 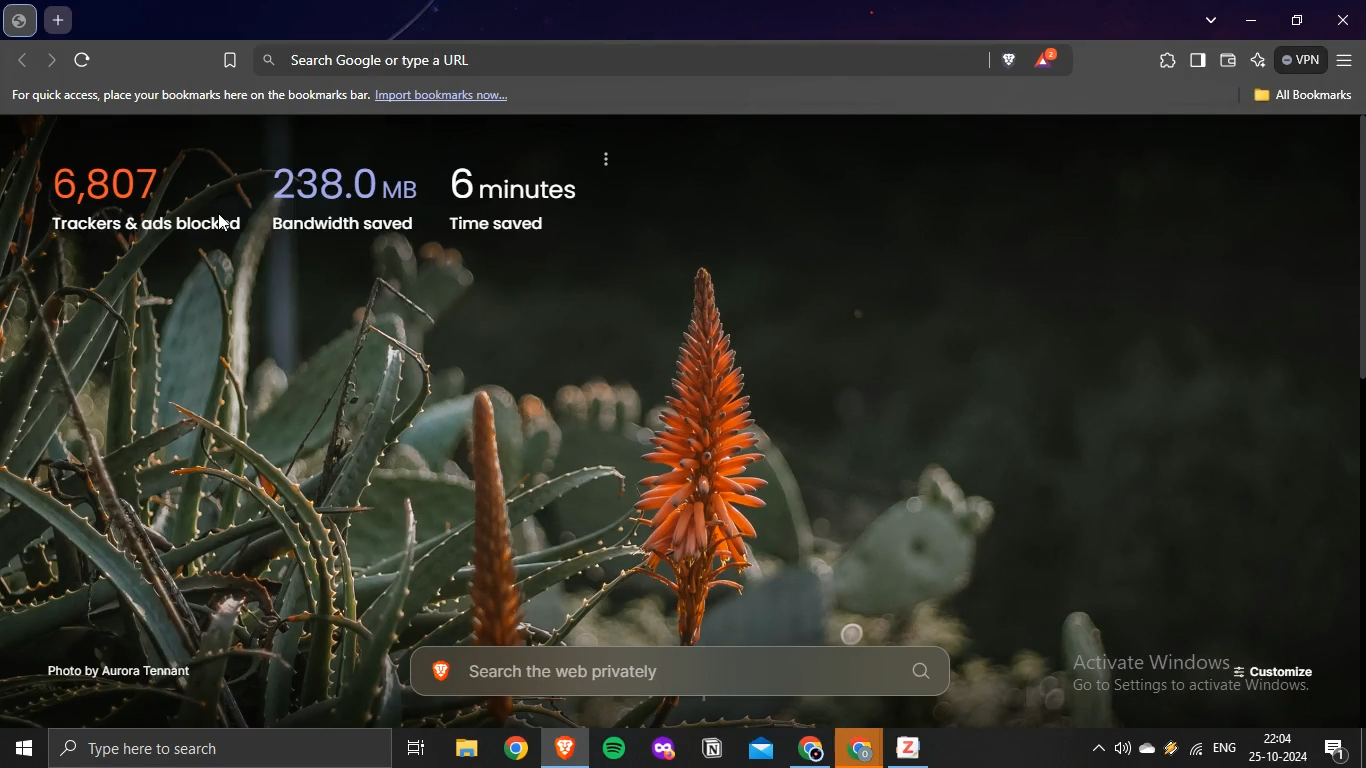 I want to click on restore down, so click(x=1298, y=20).